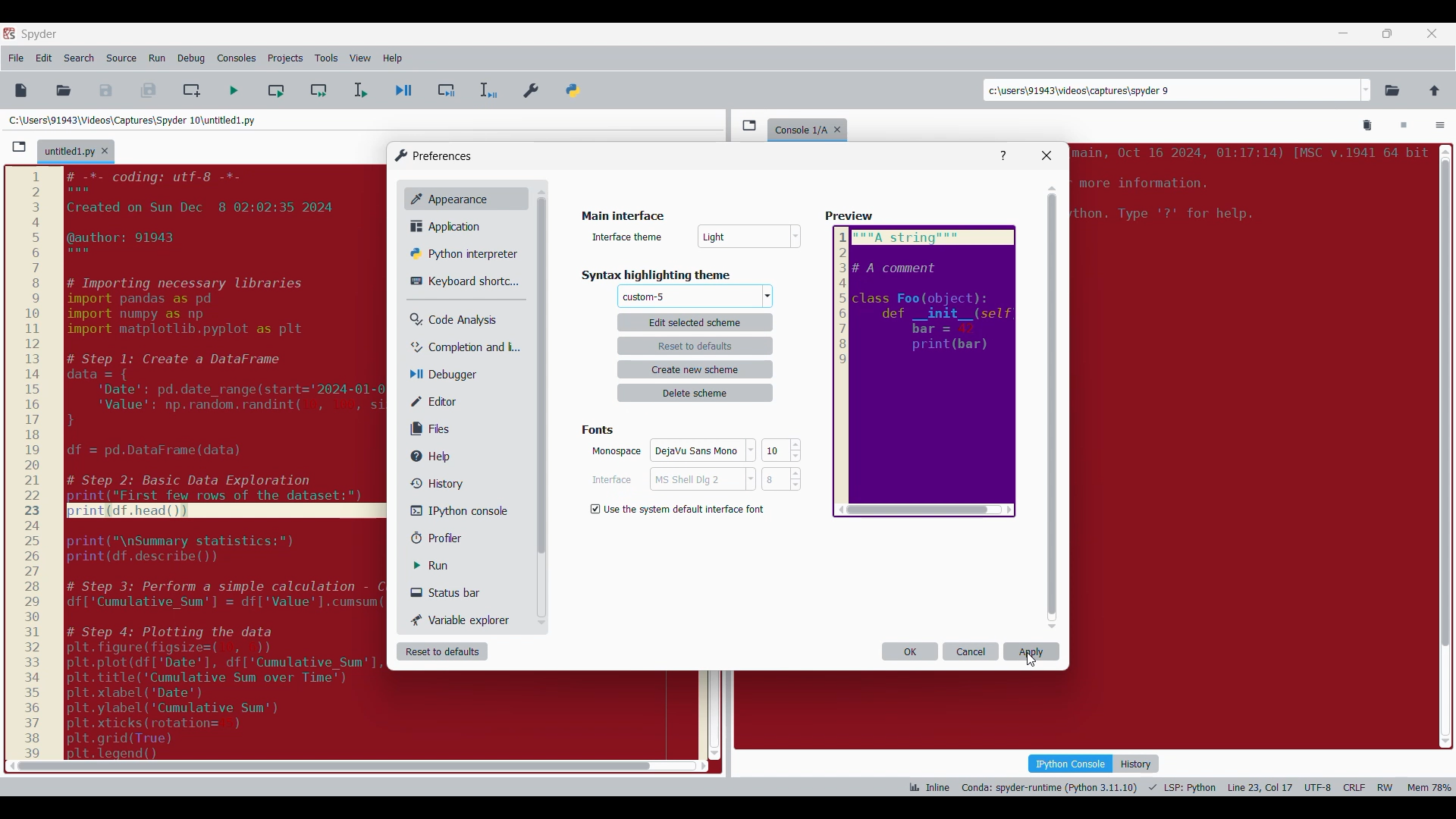 Image resolution: width=1456 pixels, height=819 pixels. I want to click on Options, so click(1440, 127).